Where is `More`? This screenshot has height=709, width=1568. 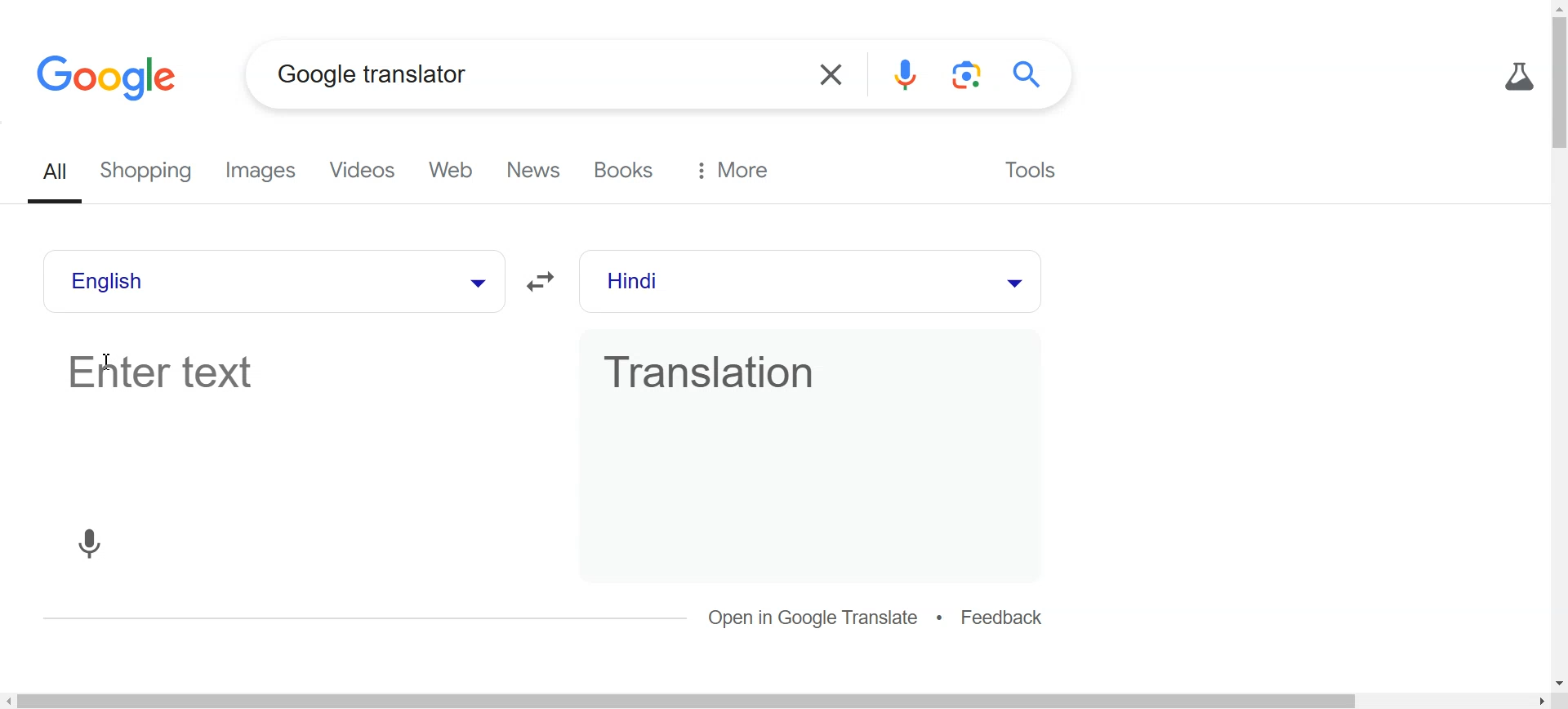
More is located at coordinates (733, 170).